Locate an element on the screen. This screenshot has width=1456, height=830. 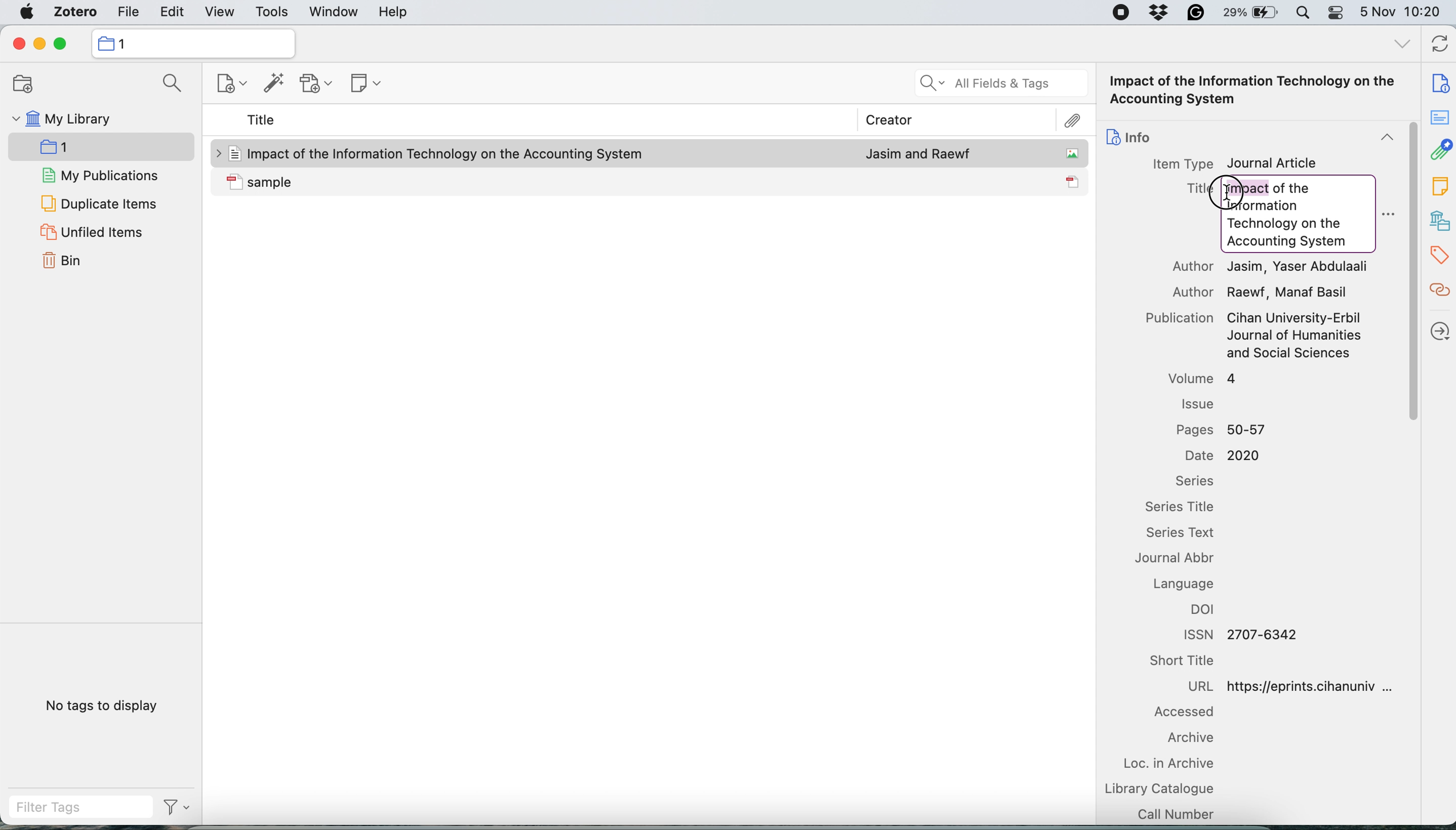
URL https://eprints.cihanuniv ... is located at coordinates (1290, 686).